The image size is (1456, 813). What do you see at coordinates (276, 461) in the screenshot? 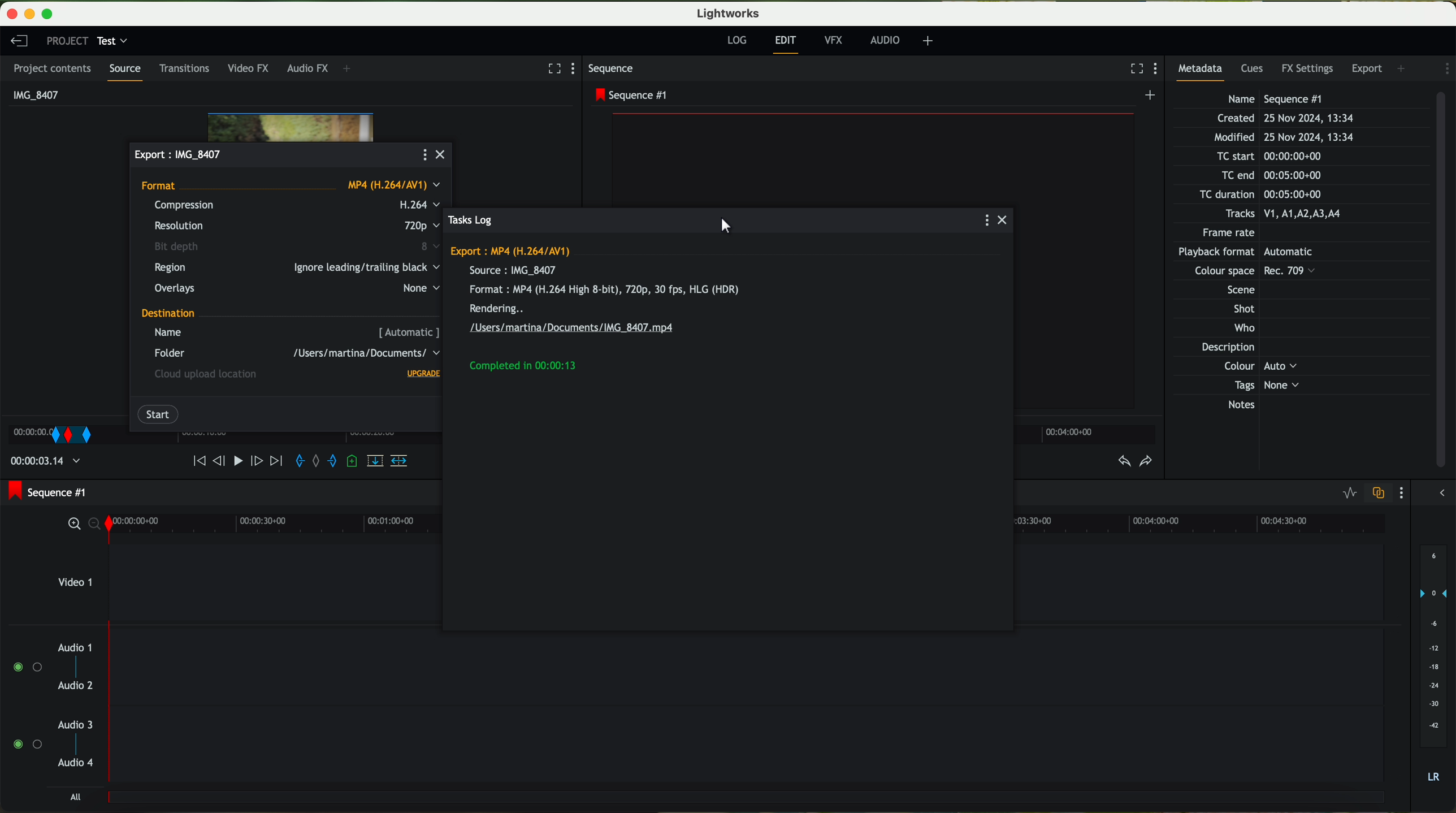
I see `move foward` at bounding box center [276, 461].